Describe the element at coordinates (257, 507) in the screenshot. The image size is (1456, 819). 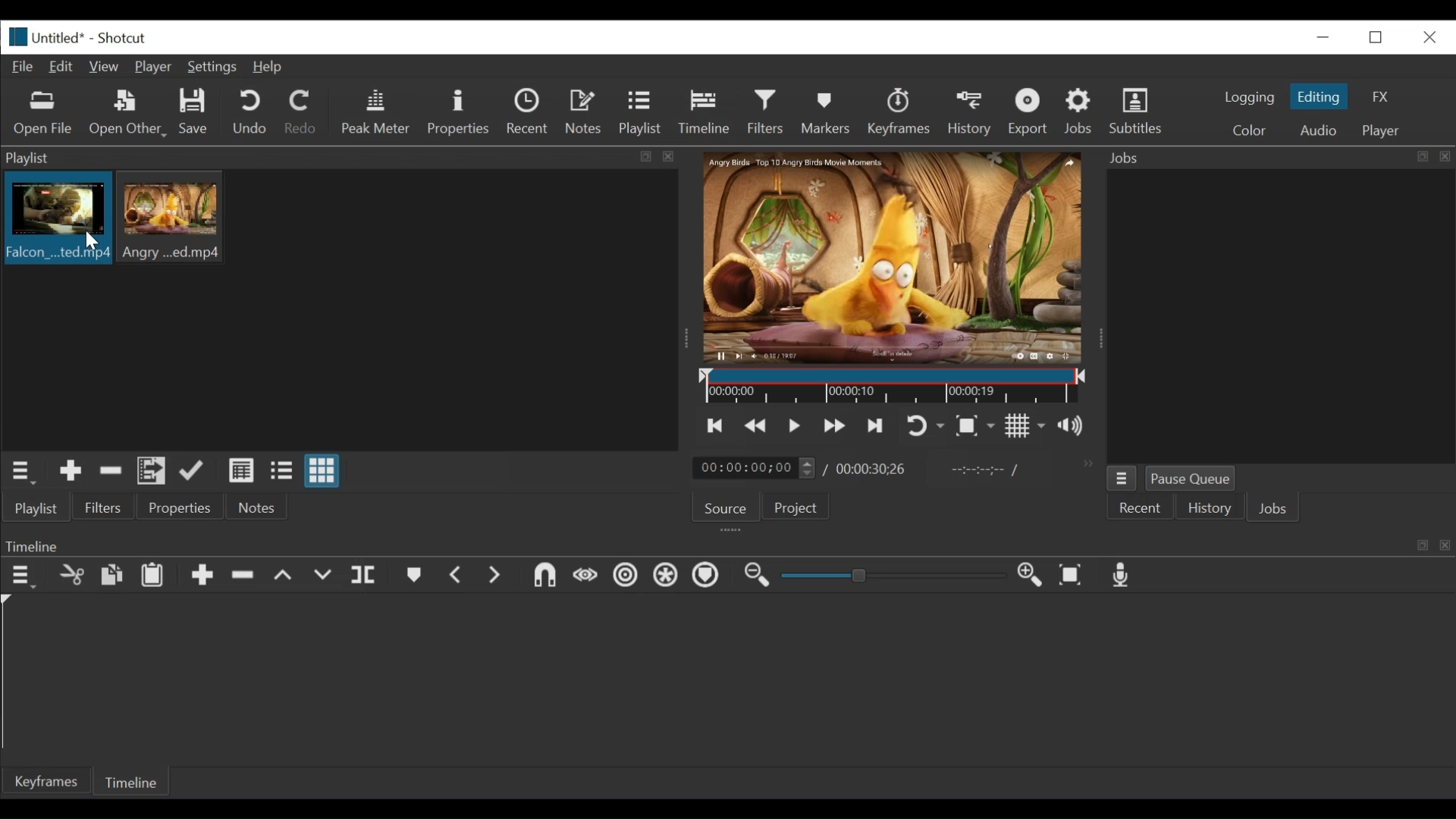
I see `Notes` at that location.